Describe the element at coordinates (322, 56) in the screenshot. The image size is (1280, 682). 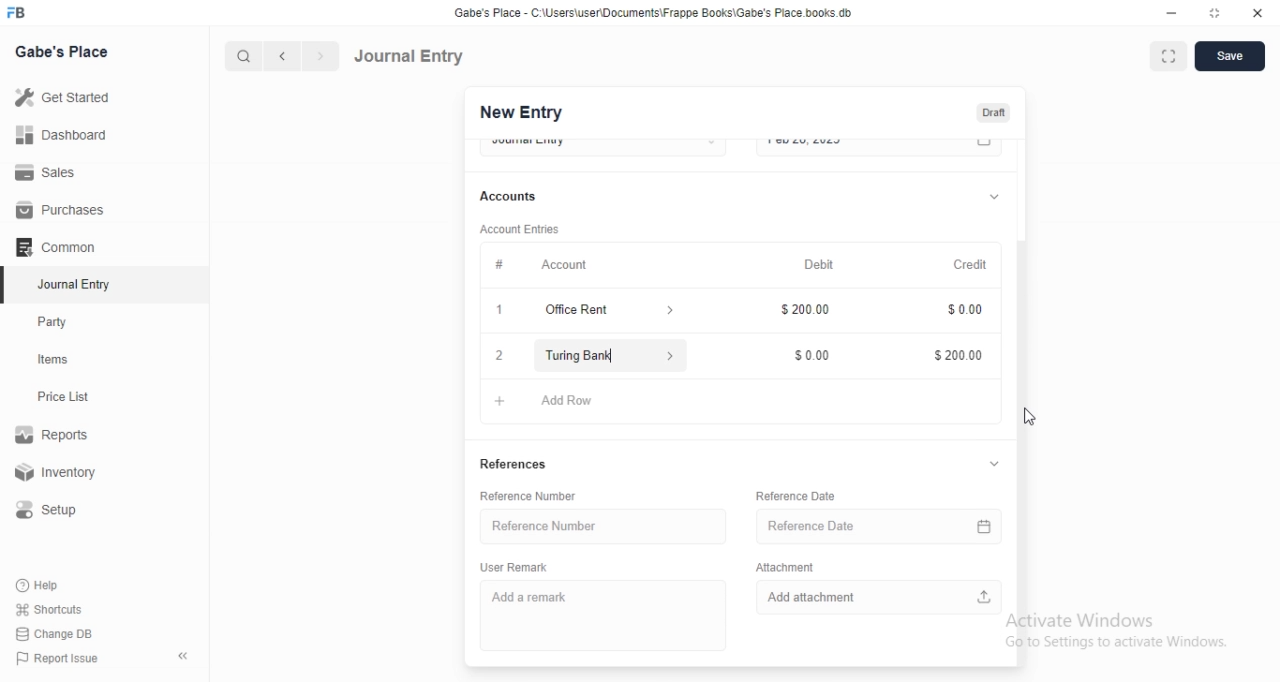
I see `forward` at that location.